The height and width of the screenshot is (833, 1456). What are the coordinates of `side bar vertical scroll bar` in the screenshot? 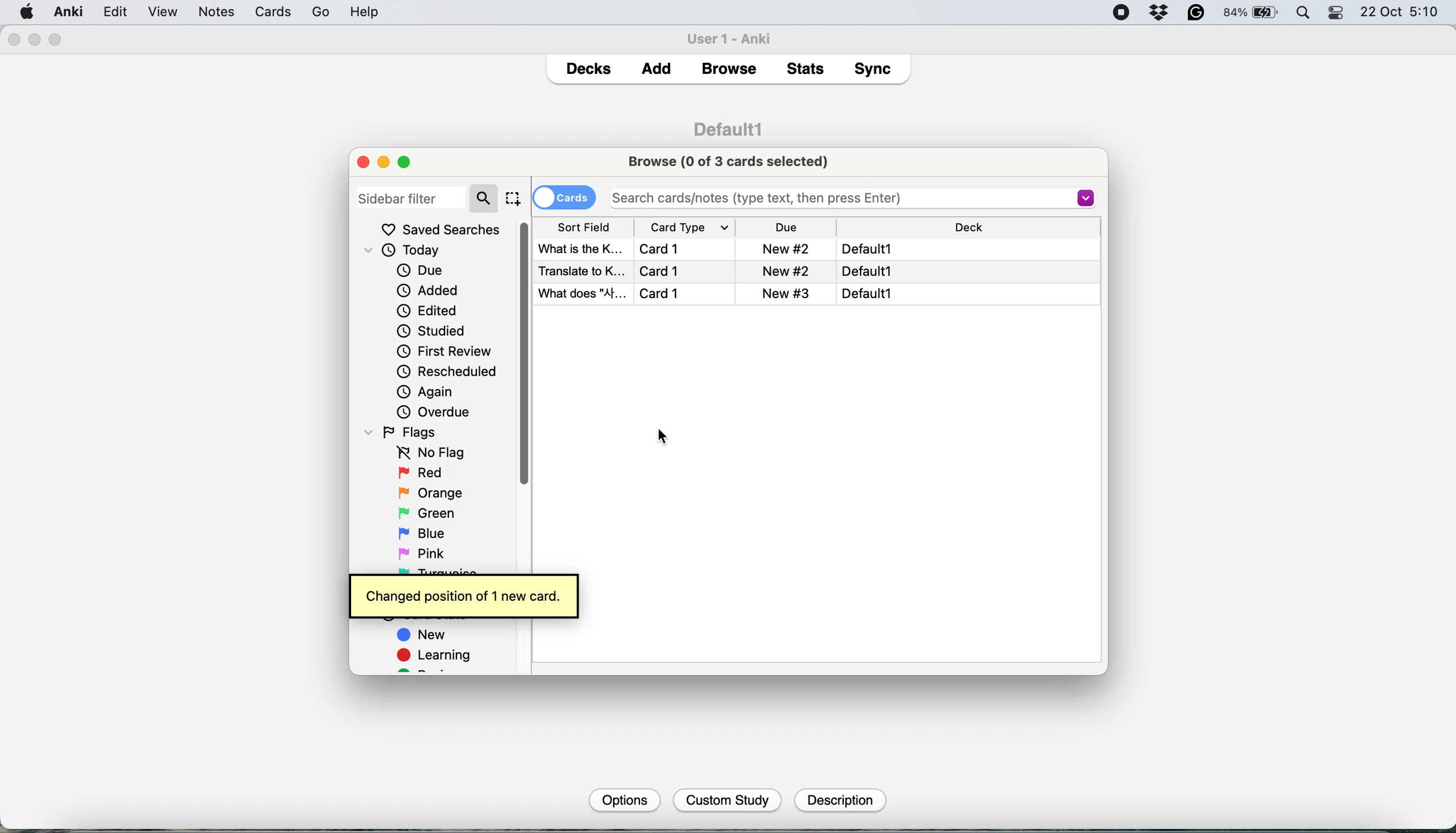 It's located at (496, 355).